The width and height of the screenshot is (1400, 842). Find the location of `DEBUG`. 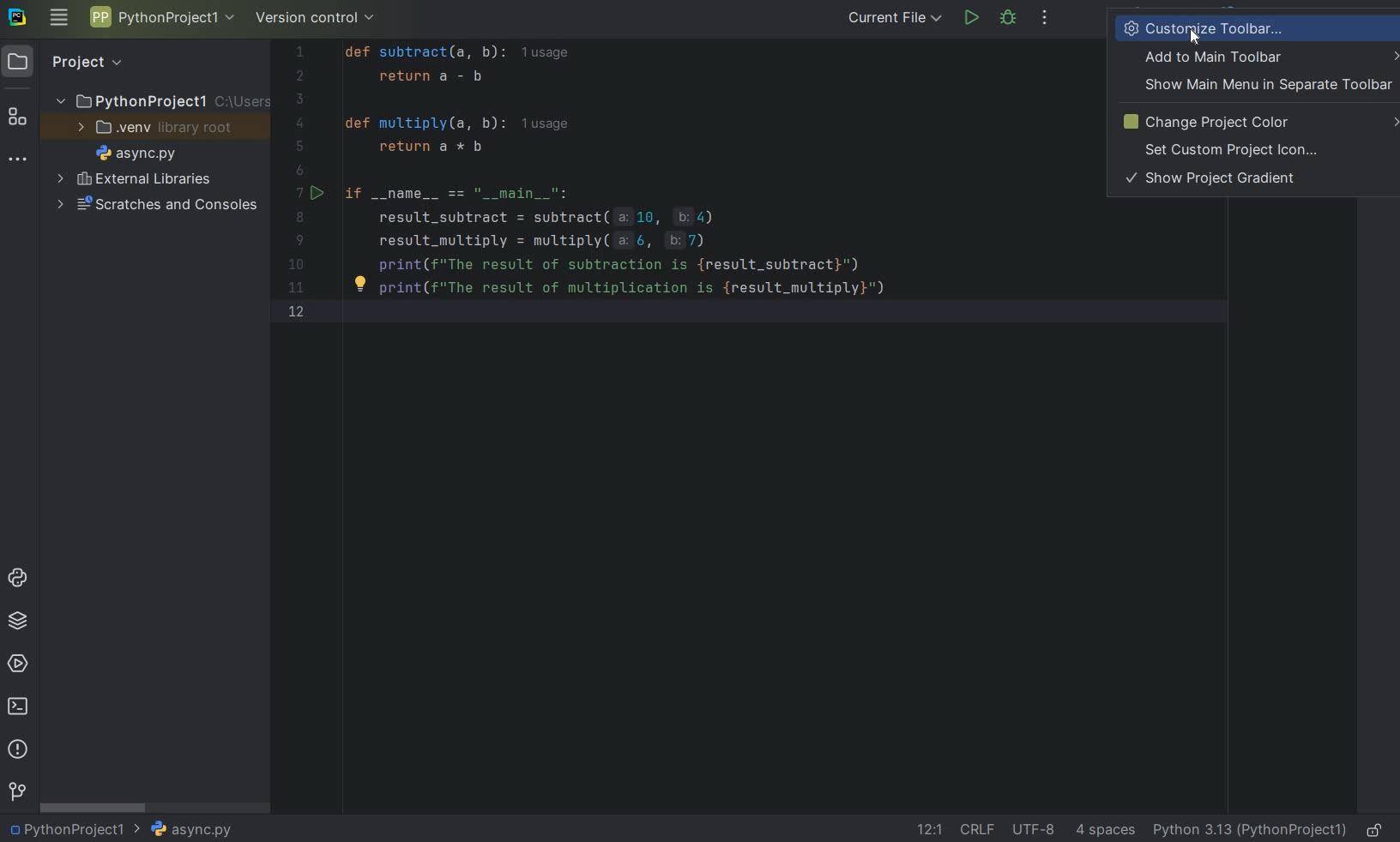

DEBUG is located at coordinates (1011, 21).